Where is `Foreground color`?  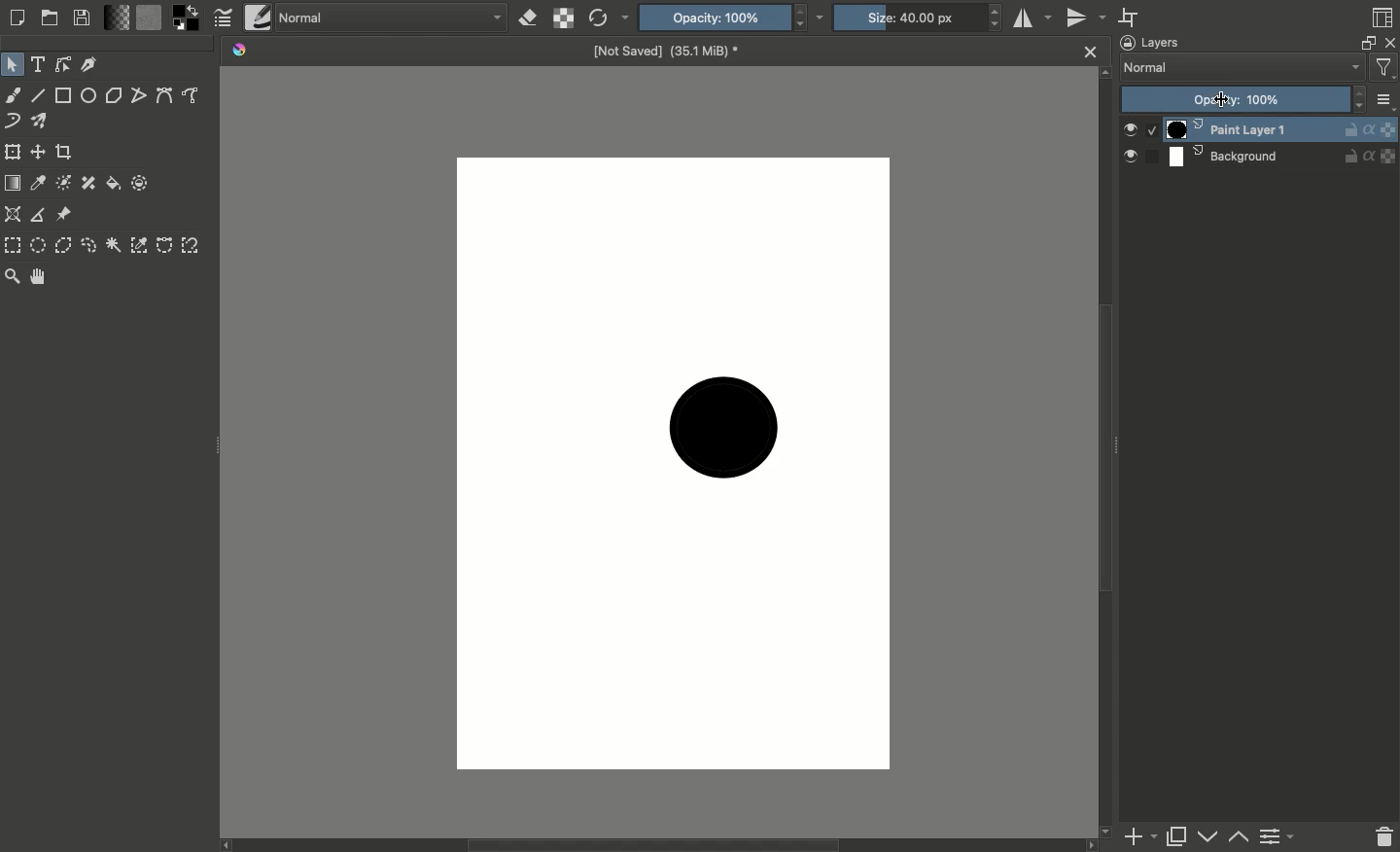 Foreground color is located at coordinates (188, 17).